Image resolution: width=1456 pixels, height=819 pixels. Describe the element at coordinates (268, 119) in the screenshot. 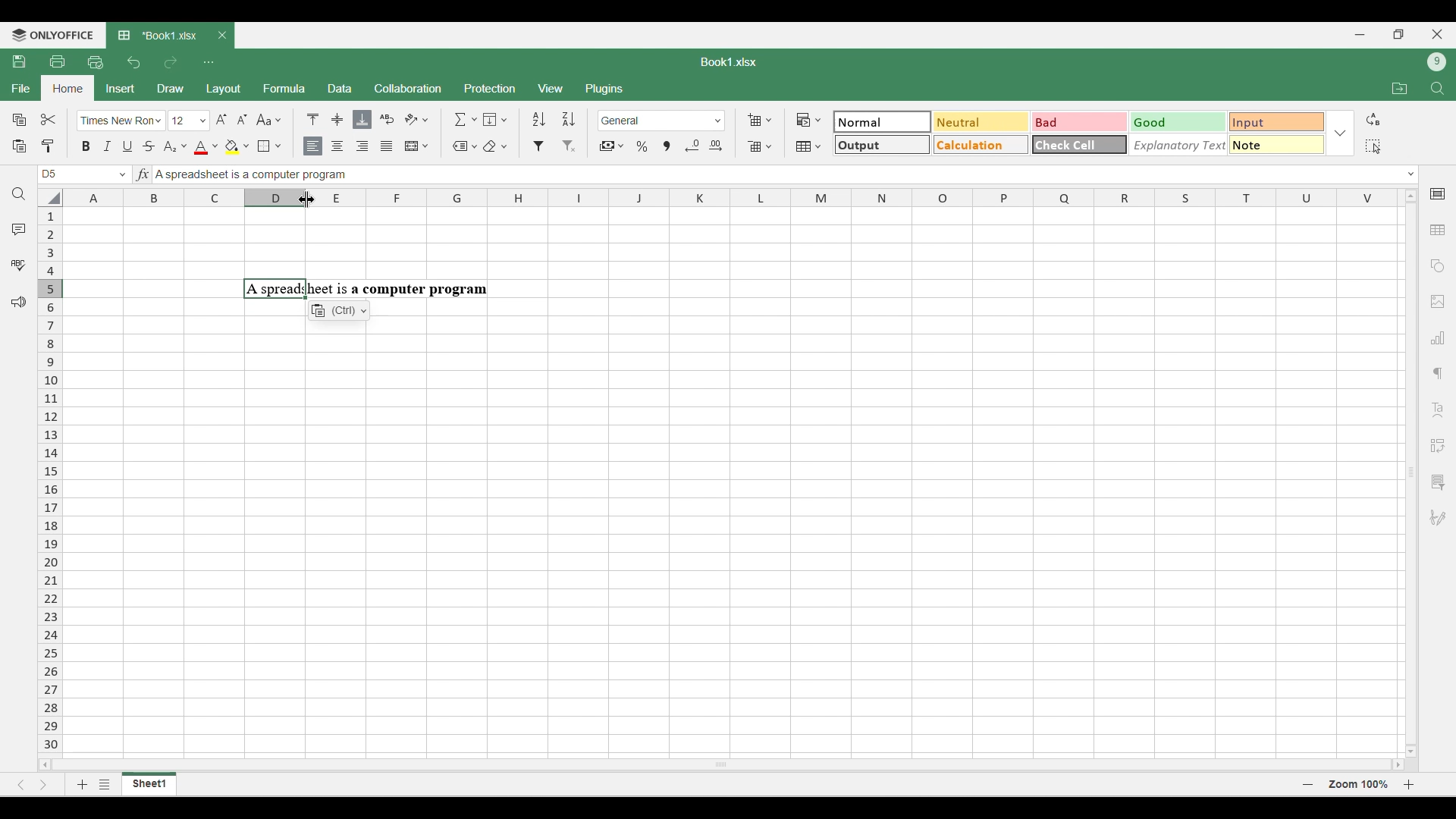

I see `Change case` at that location.